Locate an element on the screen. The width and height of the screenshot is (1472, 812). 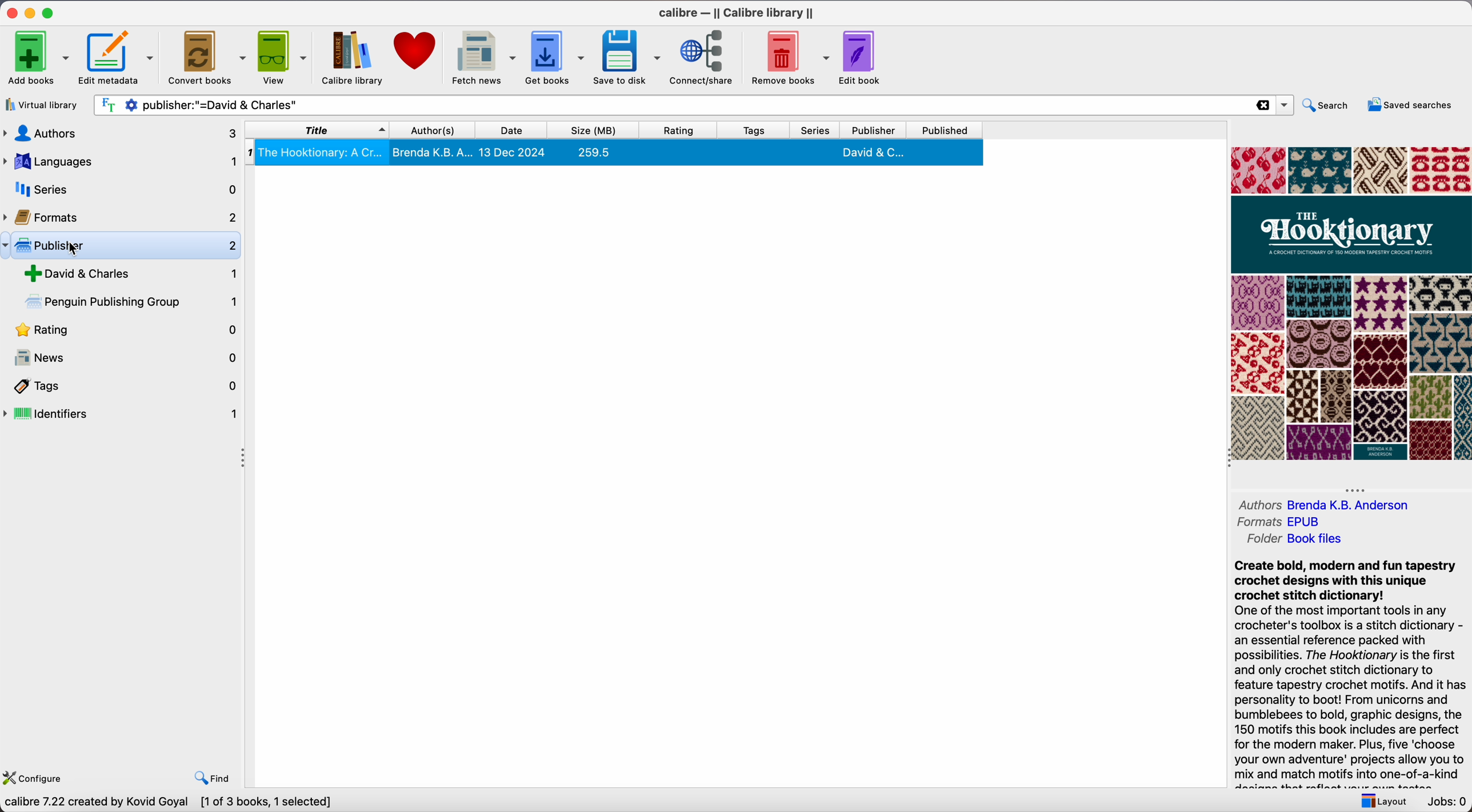
maximize is located at coordinates (50, 12).